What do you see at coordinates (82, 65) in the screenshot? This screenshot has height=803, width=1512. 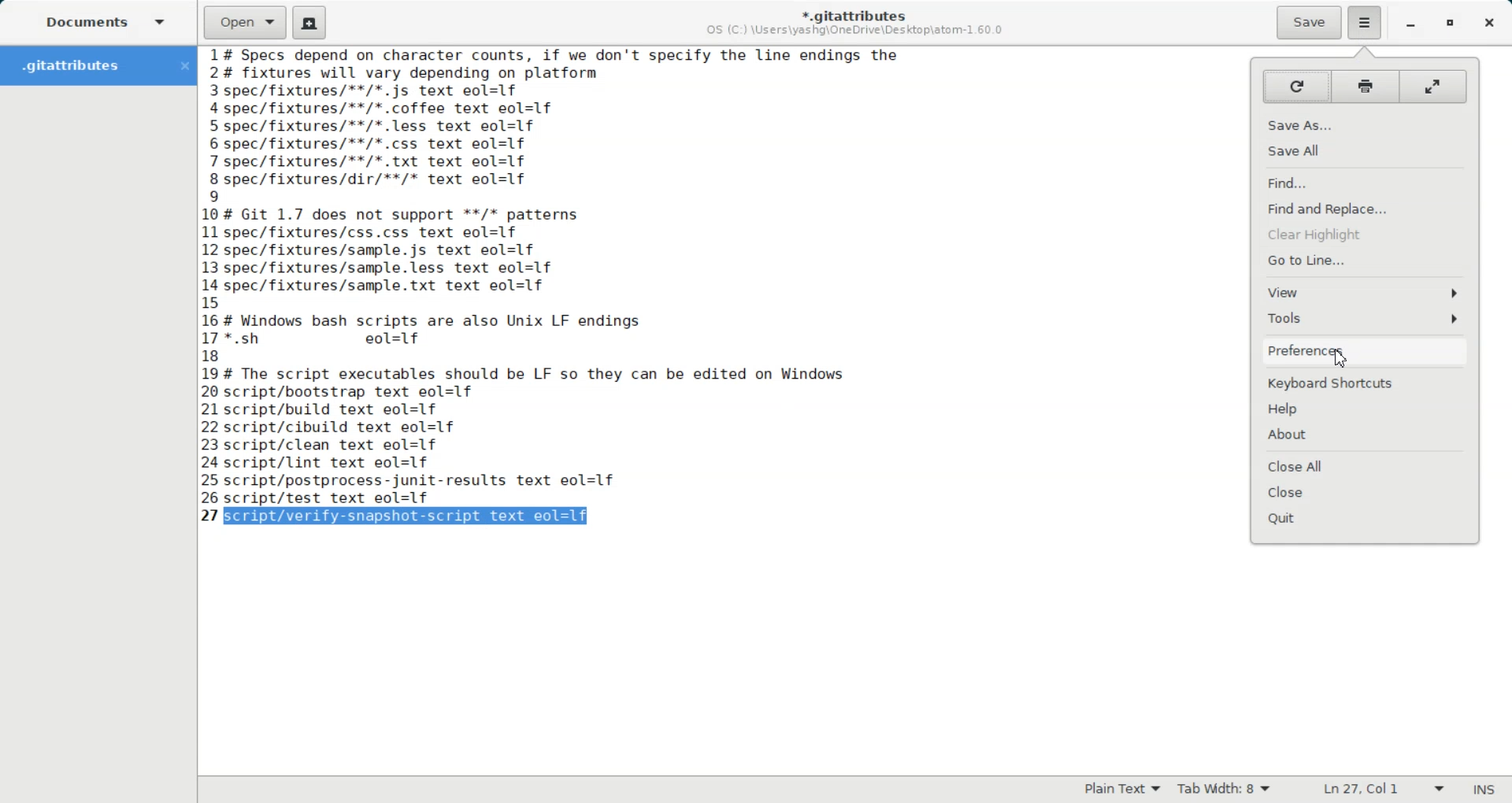 I see `Folder` at bounding box center [82, 65].